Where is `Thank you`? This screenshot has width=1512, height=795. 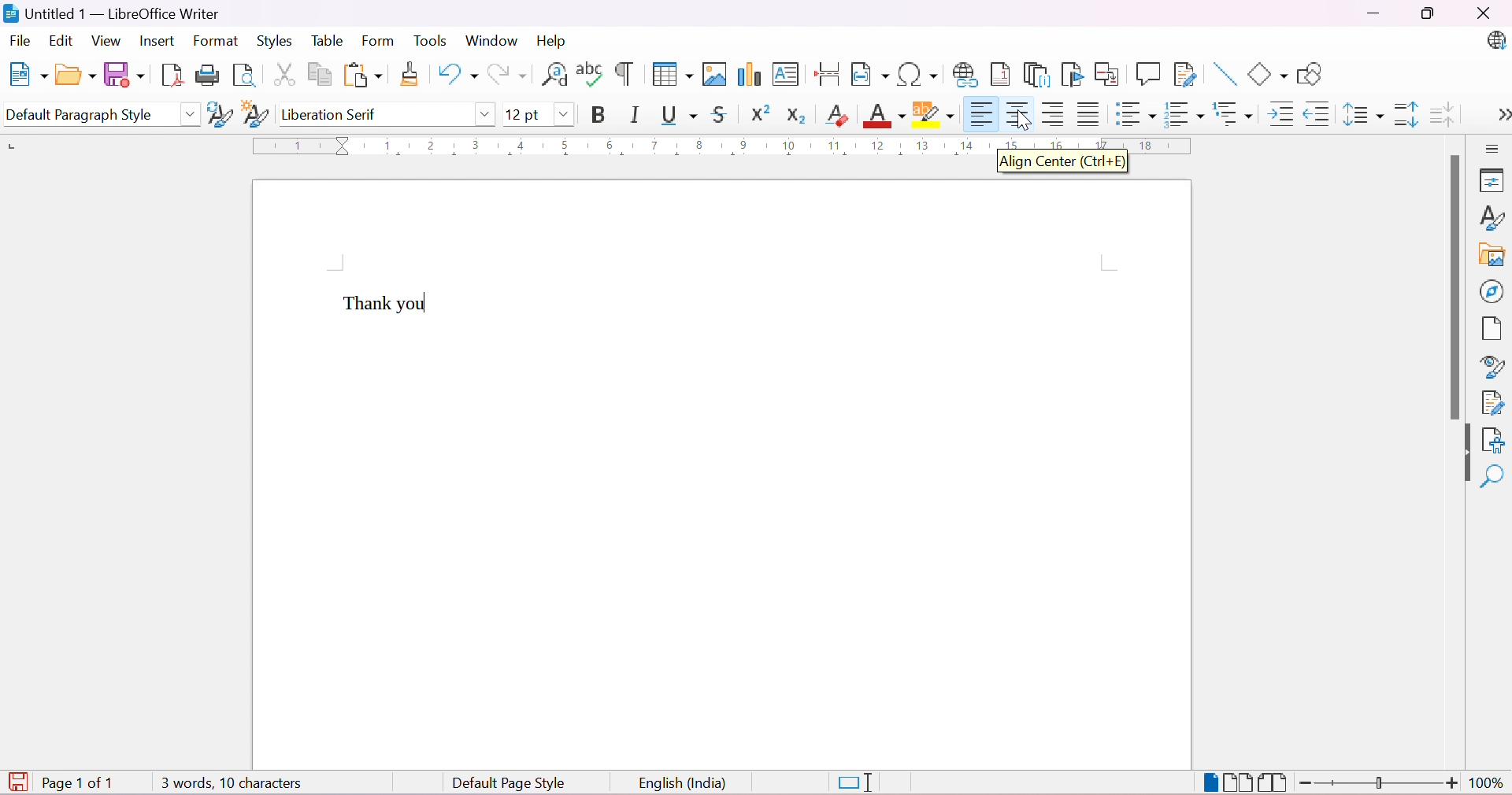
Thank you is located at coordinates (387, 304).